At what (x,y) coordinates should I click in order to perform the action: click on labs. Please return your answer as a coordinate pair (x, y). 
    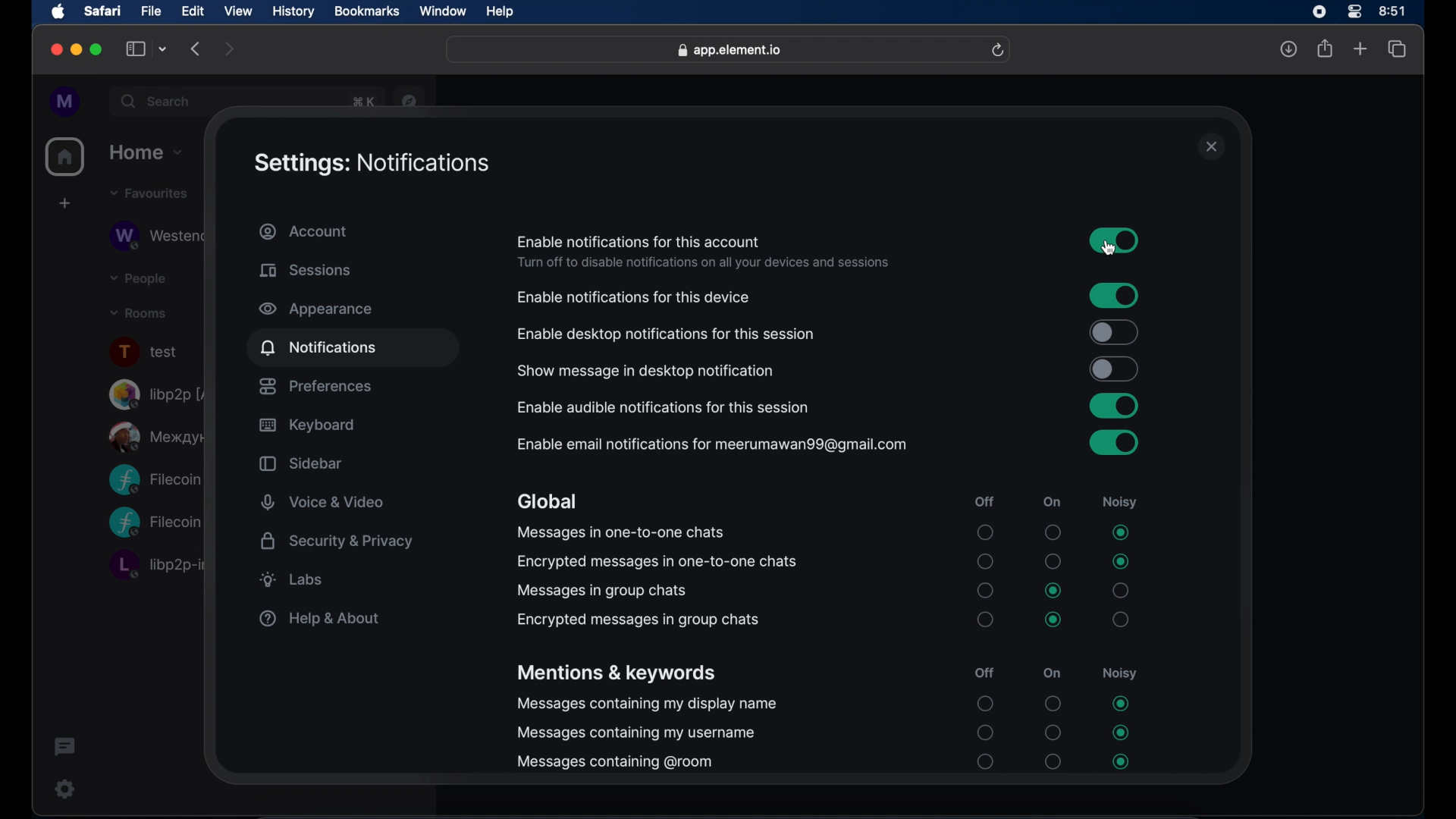
    Looking at the image, I should click on (293, 579).